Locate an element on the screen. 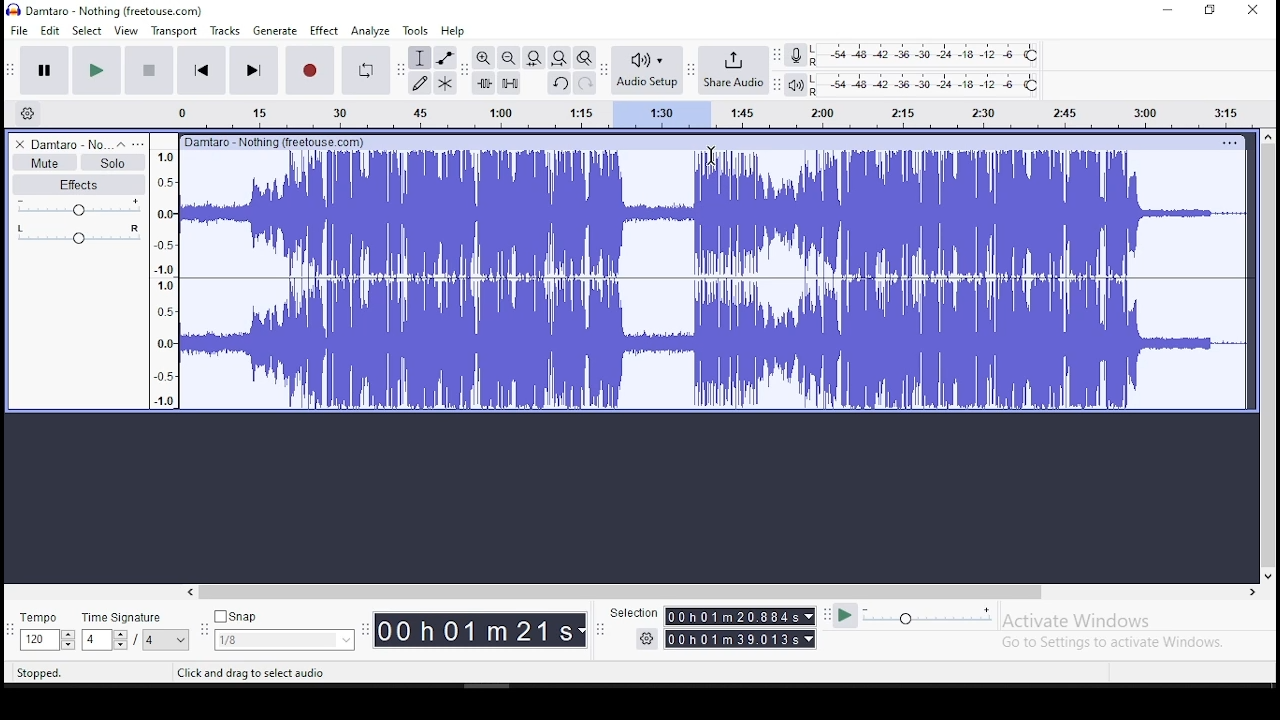 The height and width of the screenshot is (720, 1280). help is located at coordinates (453, 32).